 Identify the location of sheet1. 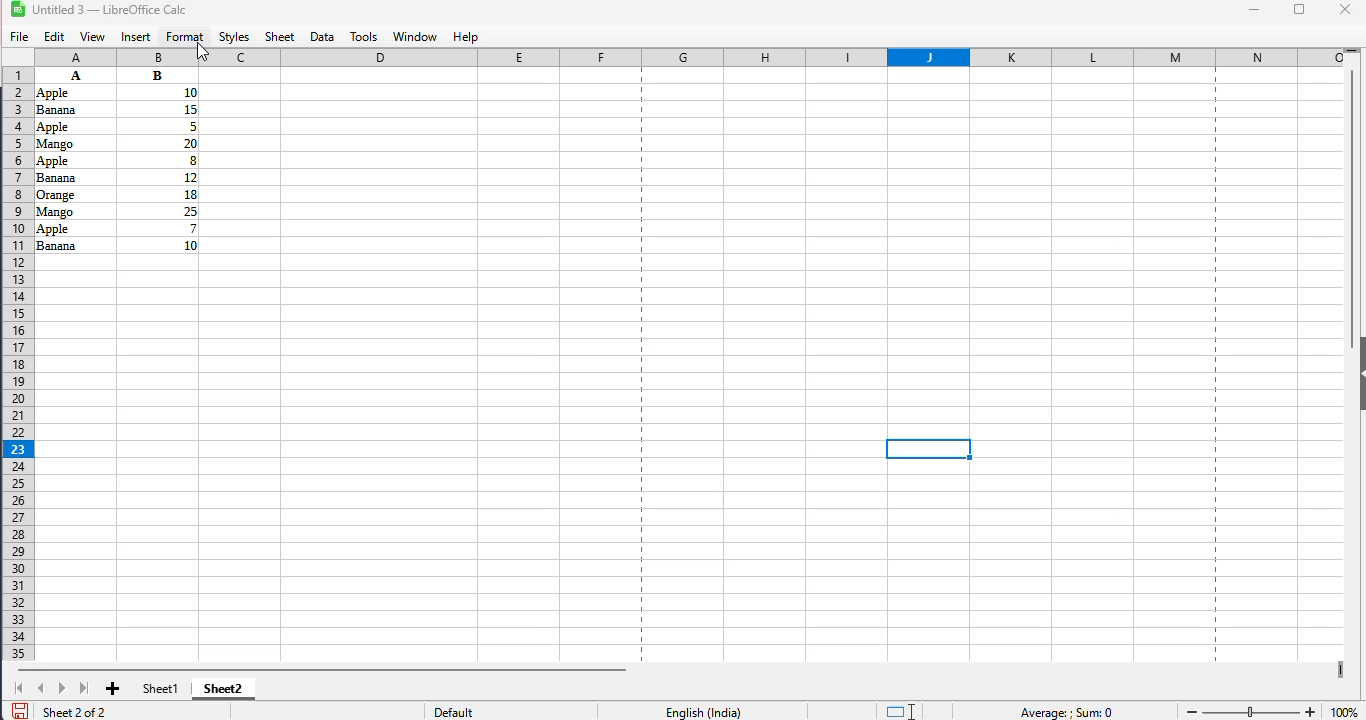
(161, 688).